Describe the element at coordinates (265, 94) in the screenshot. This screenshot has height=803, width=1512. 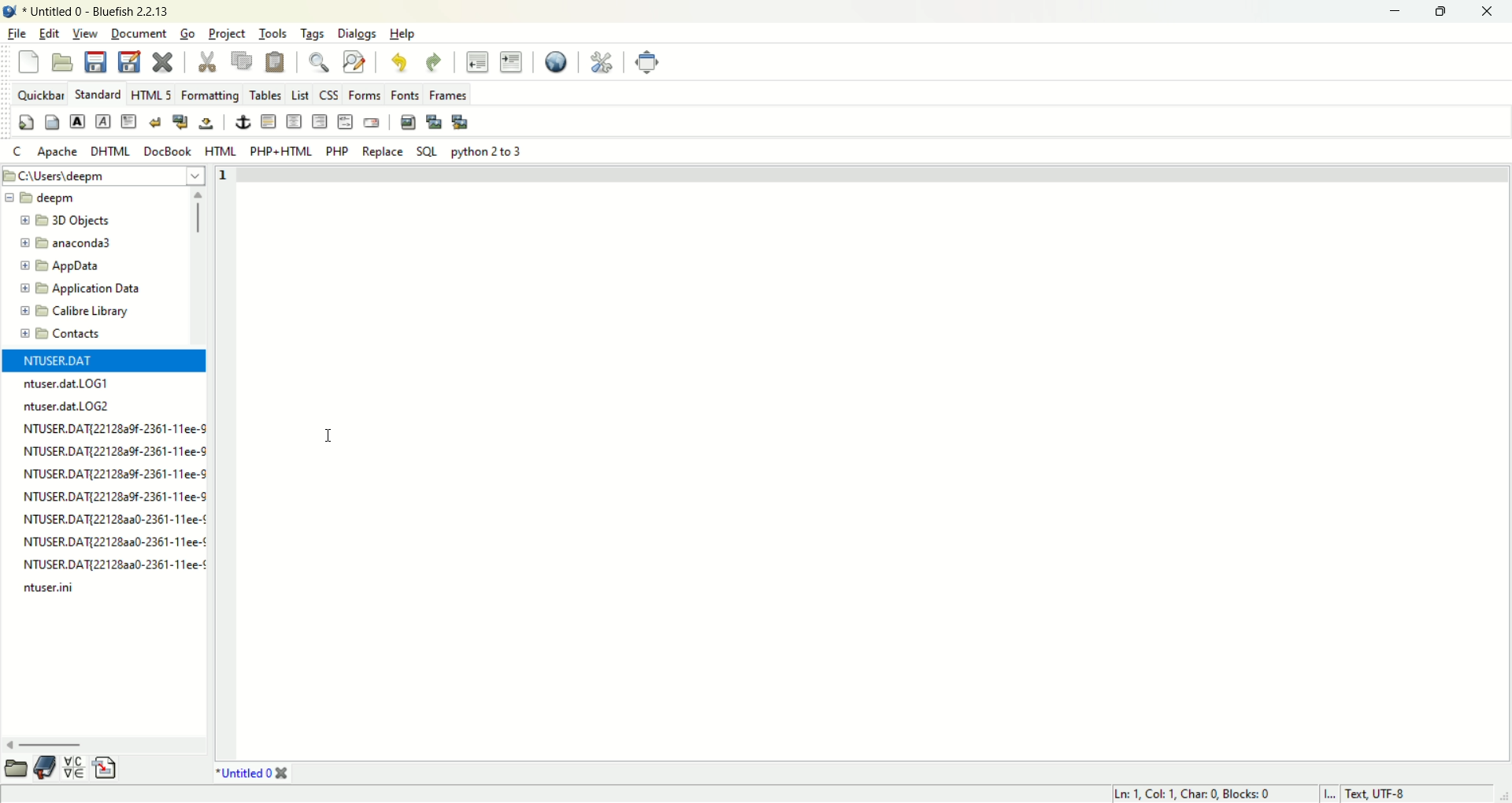
I see `tables` at that location.